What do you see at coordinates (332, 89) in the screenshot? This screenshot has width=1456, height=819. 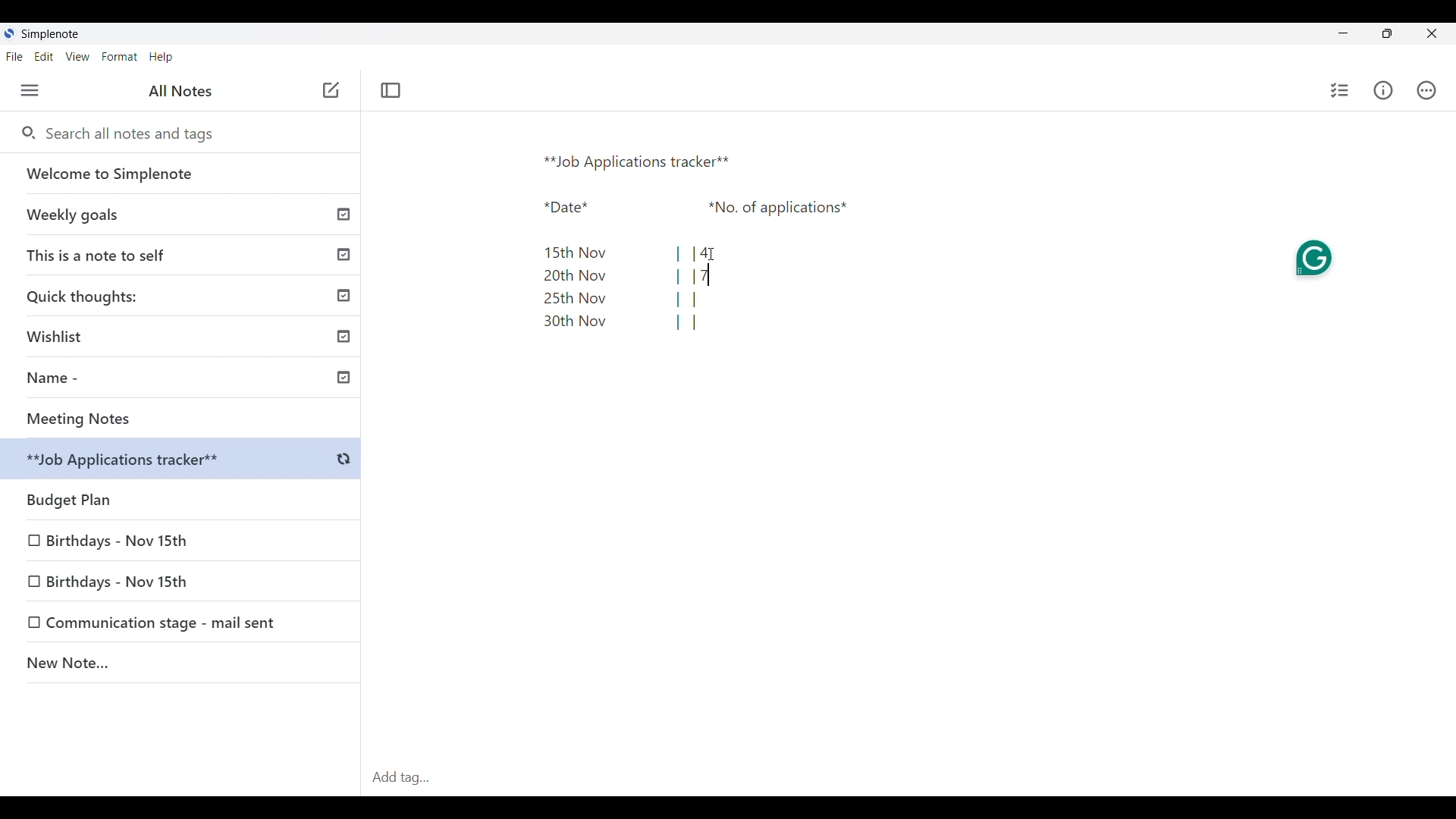 I see `Click to add note` at bounding box center [332, 89].